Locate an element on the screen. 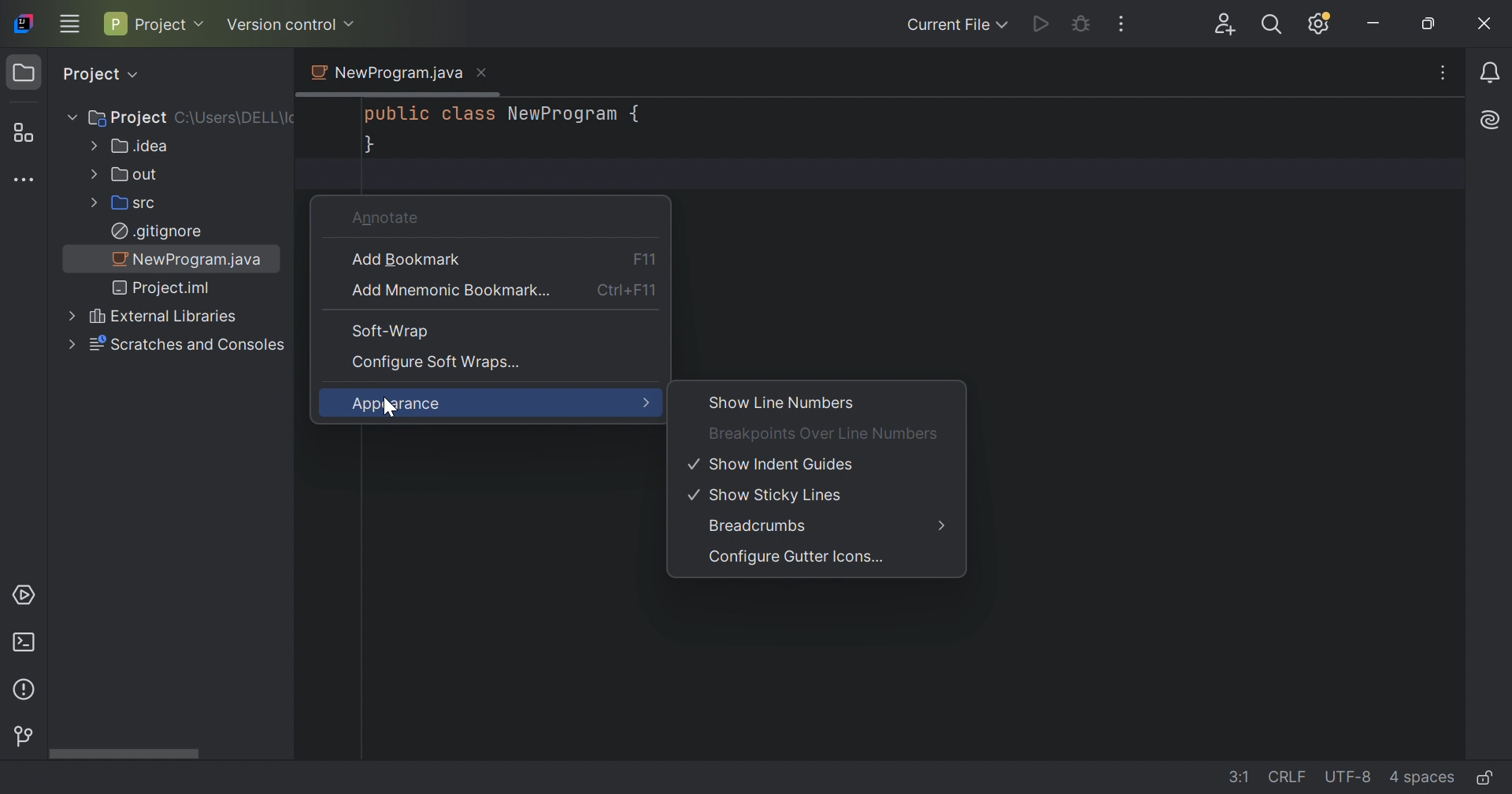  Project is located at coordinates (89, 74).